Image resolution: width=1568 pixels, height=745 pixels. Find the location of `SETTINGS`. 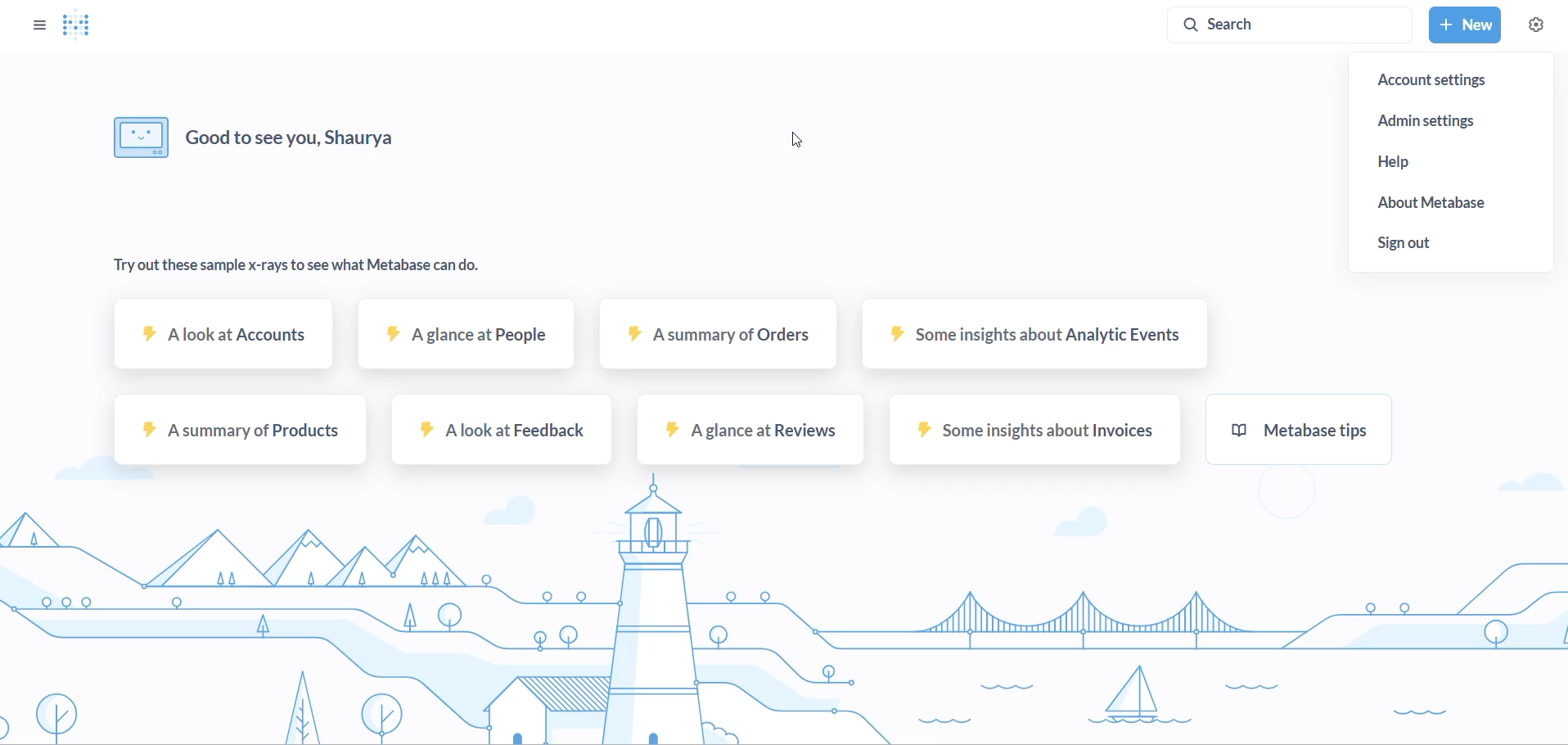

SETTINGS is located at coordinates (1536, 25).